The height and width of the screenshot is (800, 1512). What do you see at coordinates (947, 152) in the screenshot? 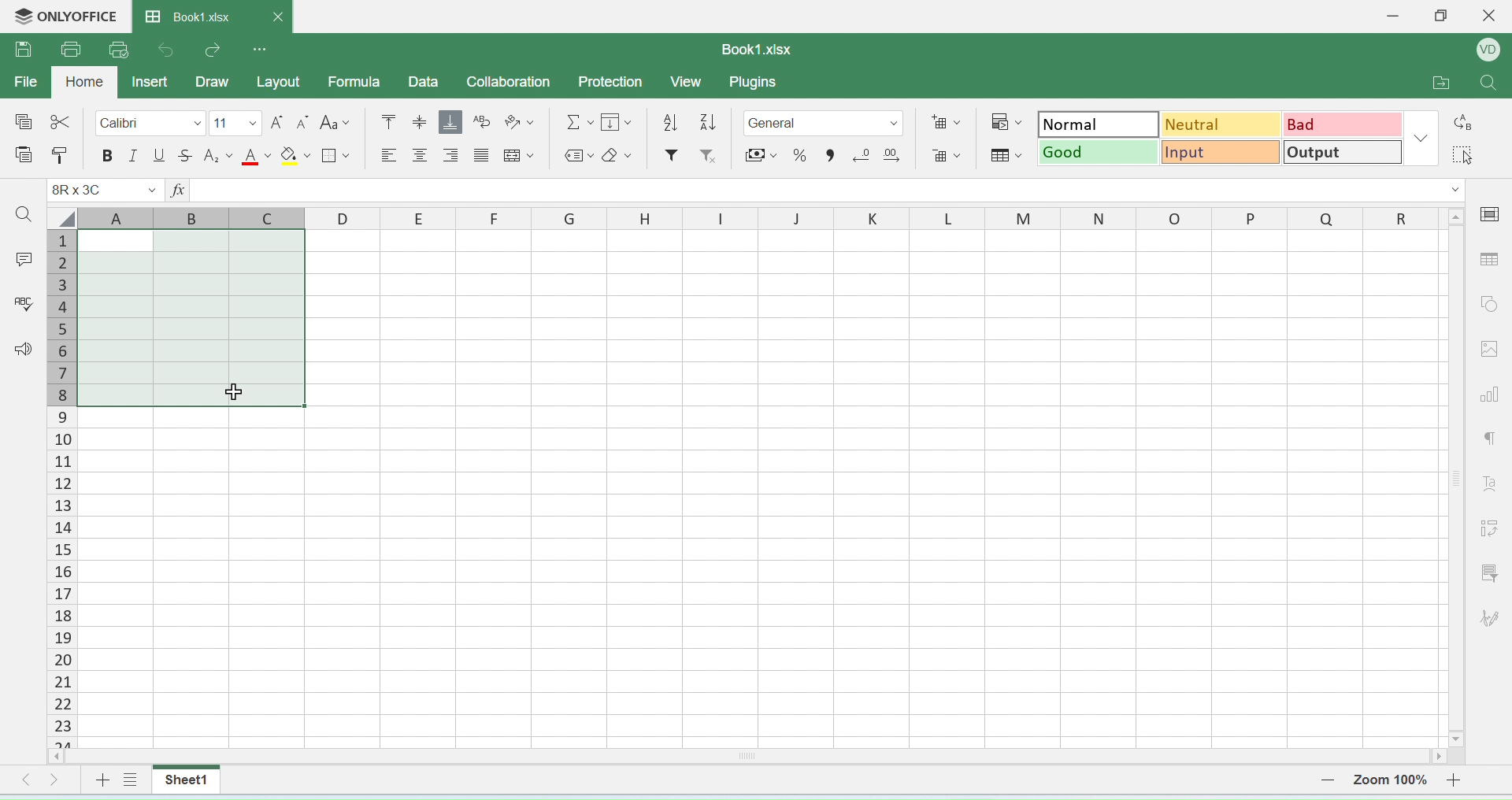
I see `remove cells` at bounding box center [947, 152].